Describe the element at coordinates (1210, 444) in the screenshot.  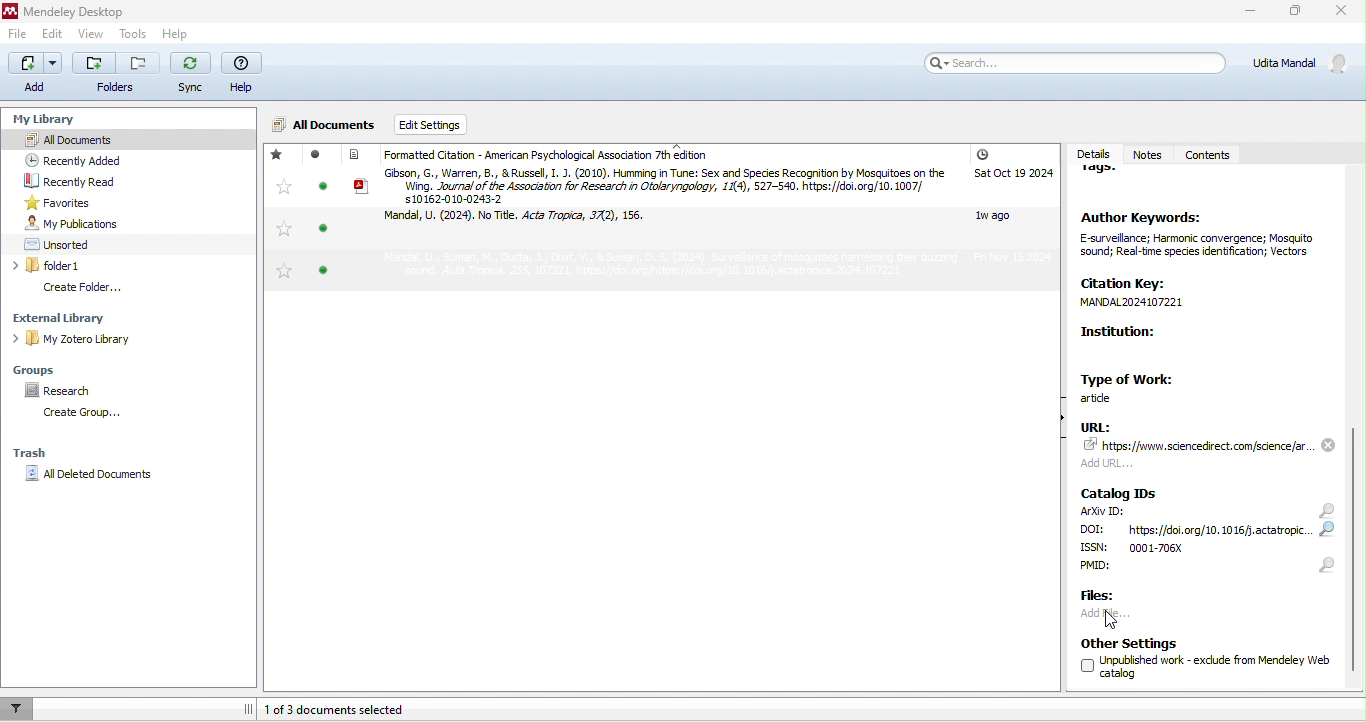
I see `URL` at that location.